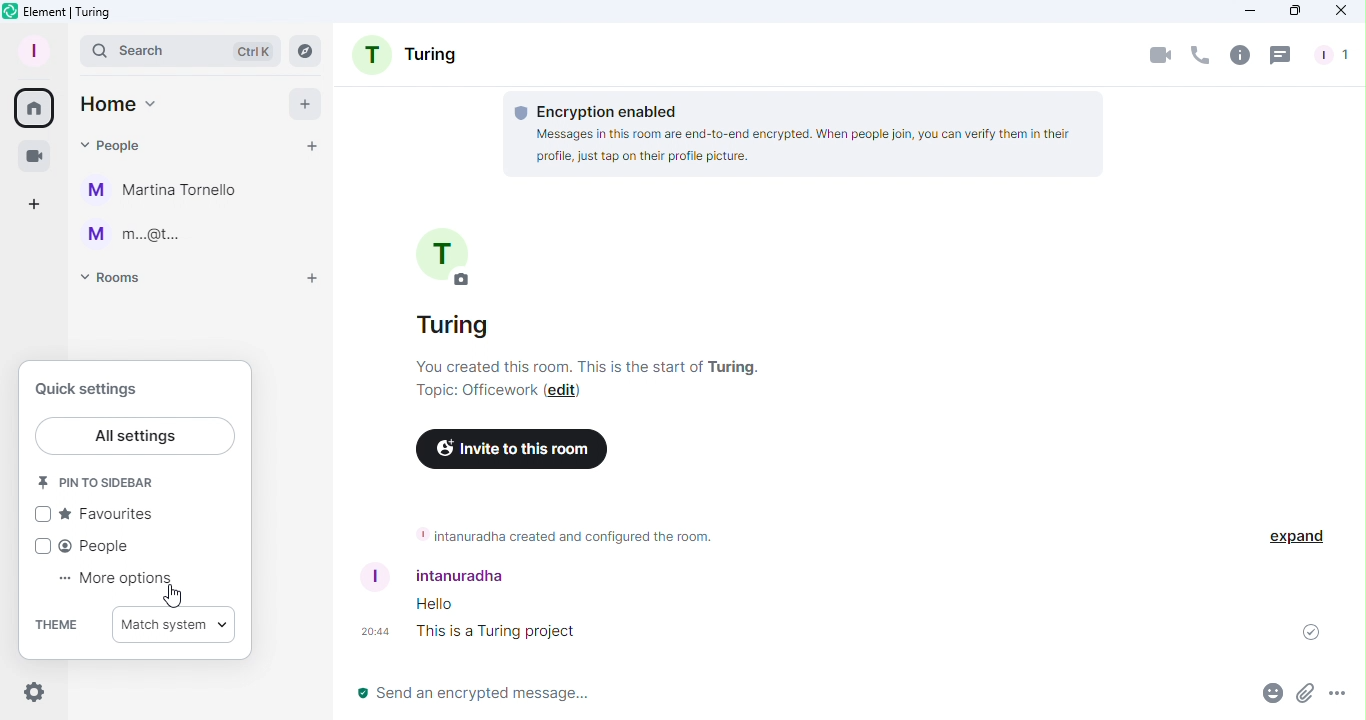  What do you see at coordinates (1344, 12) in the screenshot?
I see `Close` at bounding box center [1344, 12].